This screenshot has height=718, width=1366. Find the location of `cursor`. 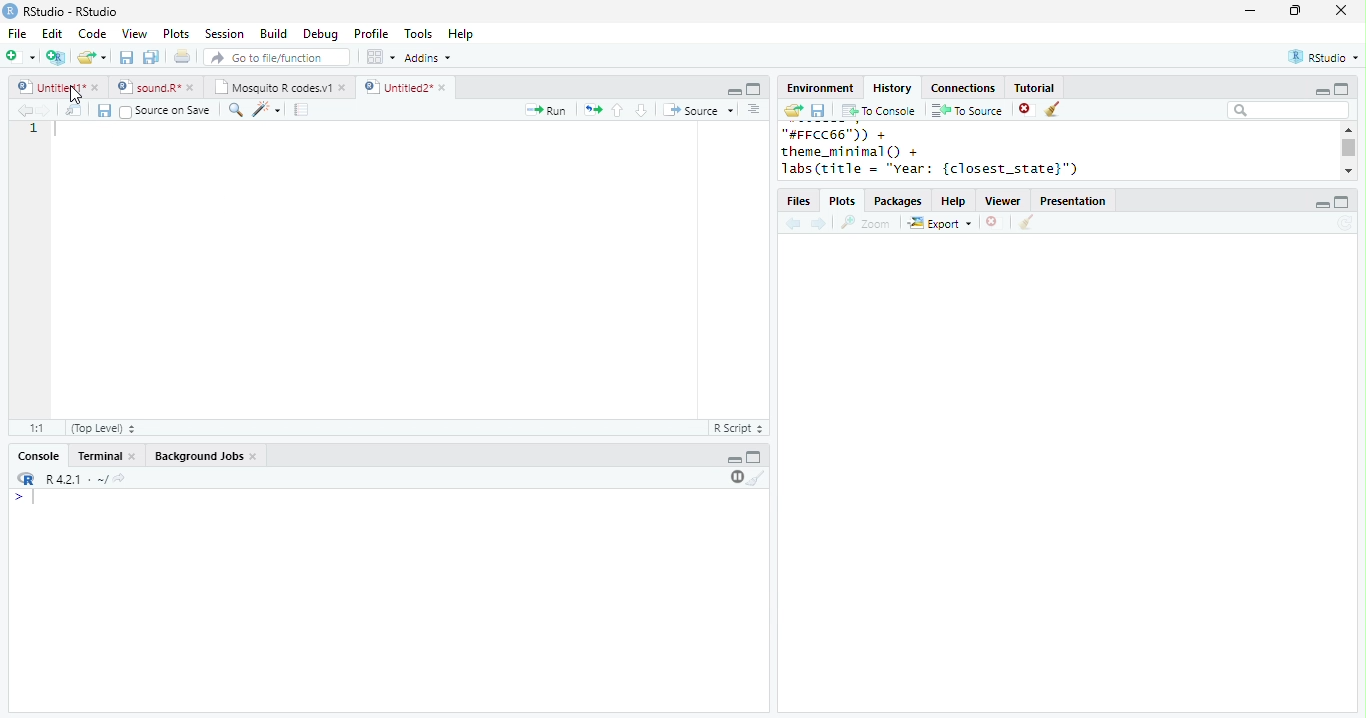

cursor is located at coordinates (78, 96).